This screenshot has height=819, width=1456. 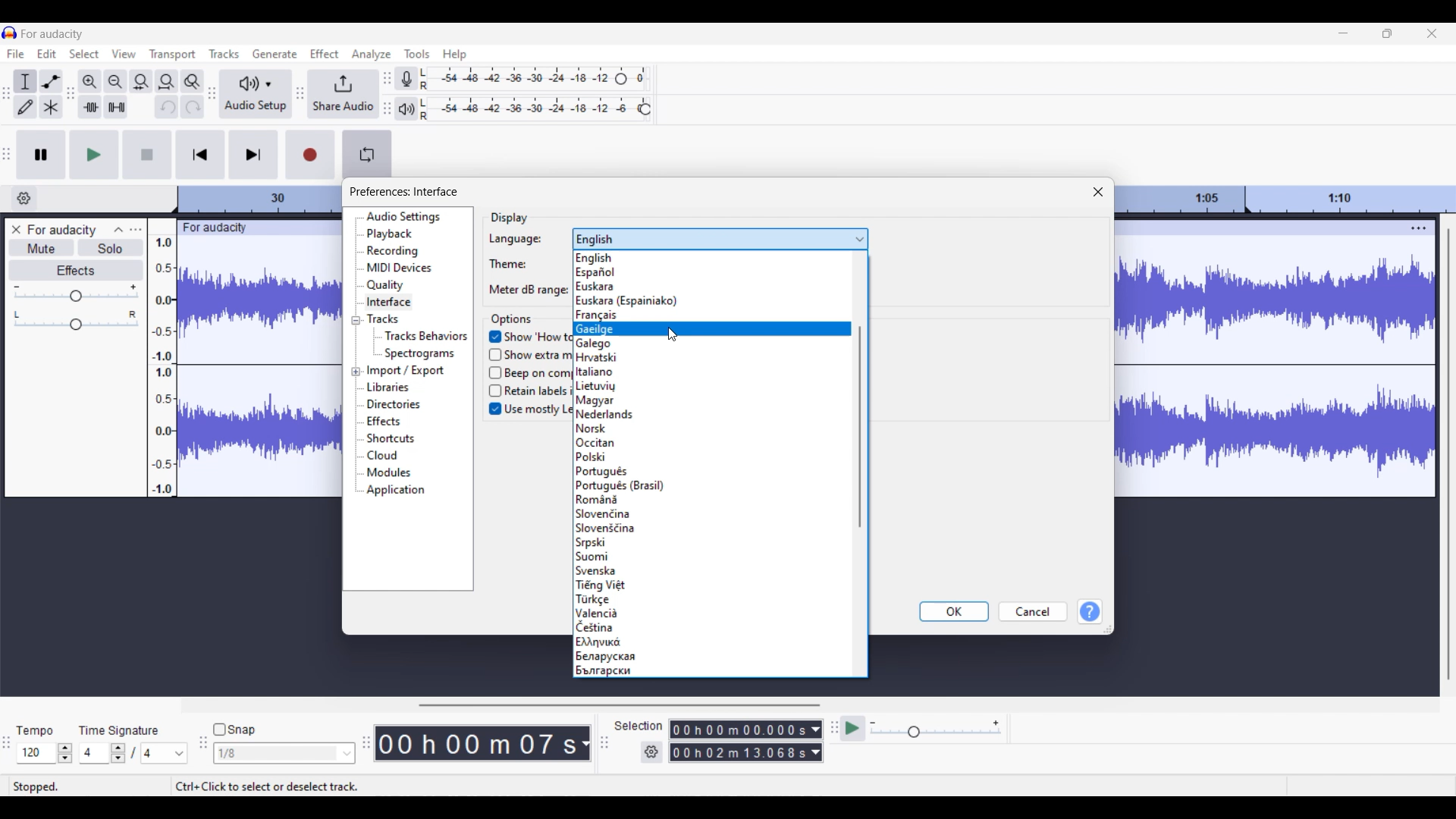 I want to click on Trim audio selection, so click(x=89, y=107).